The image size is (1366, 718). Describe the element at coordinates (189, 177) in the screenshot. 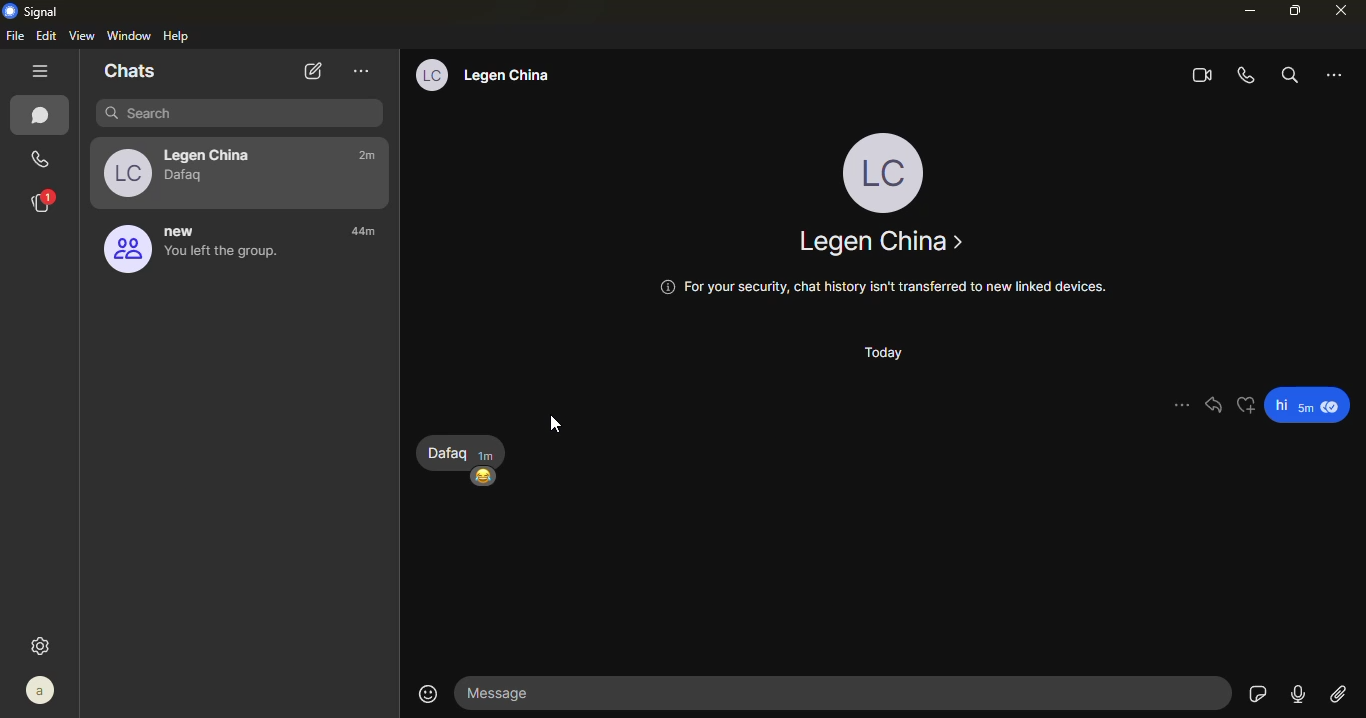

I see `dafaq` at that location.